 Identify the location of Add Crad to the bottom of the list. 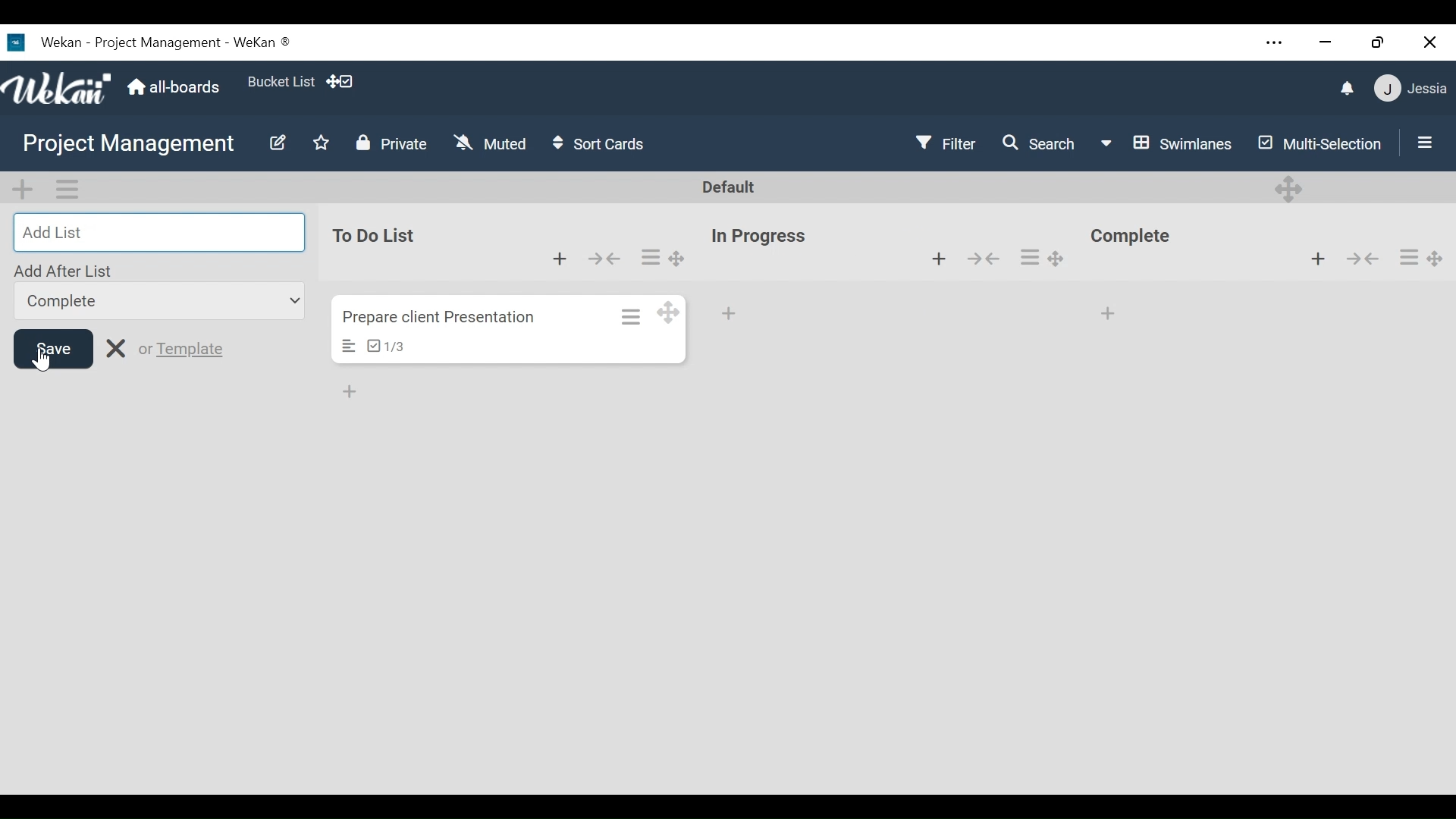
(1106, 316).